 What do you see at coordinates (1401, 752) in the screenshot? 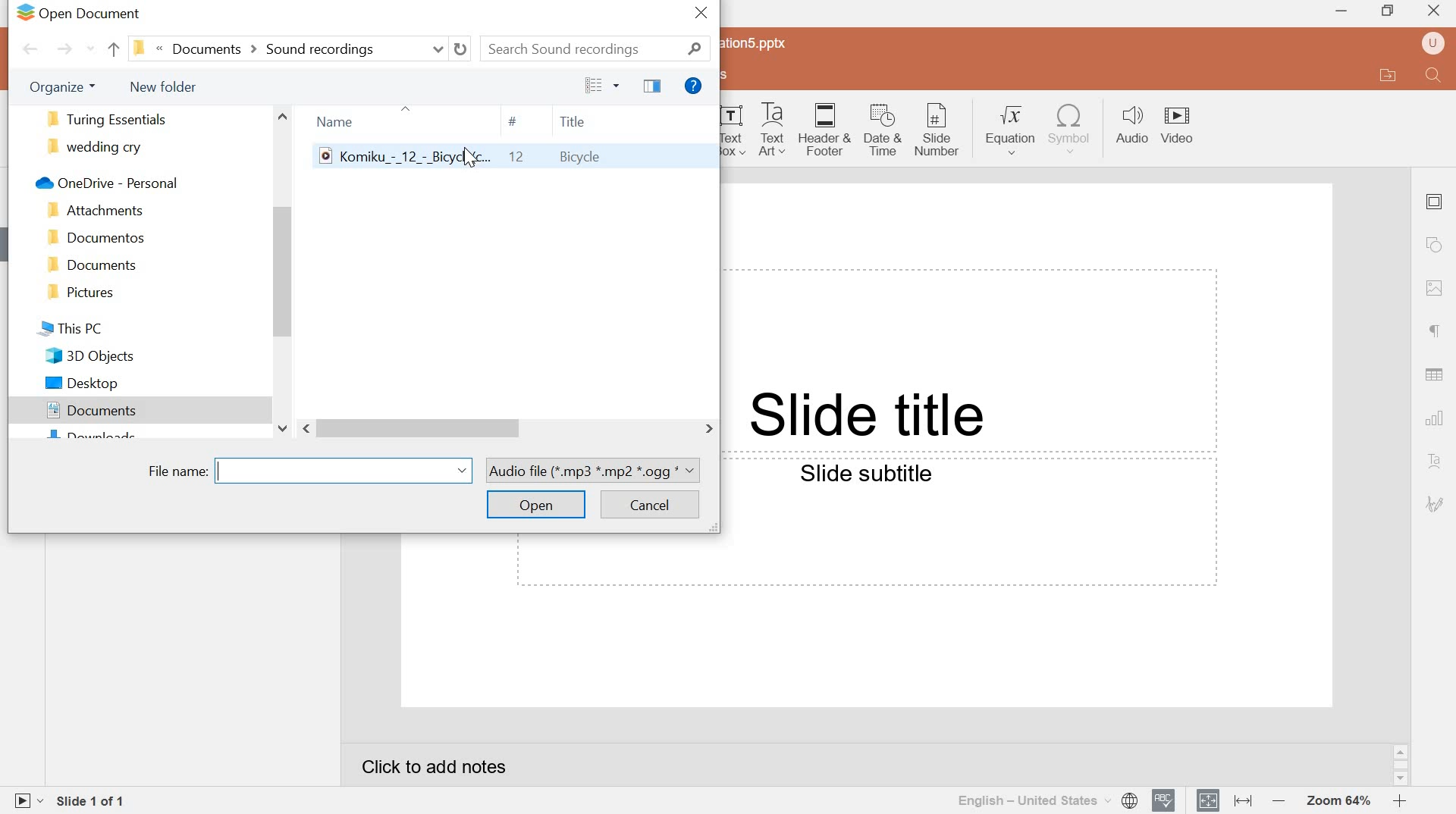
I see `scroll up` at bounding box center [1401, 752].